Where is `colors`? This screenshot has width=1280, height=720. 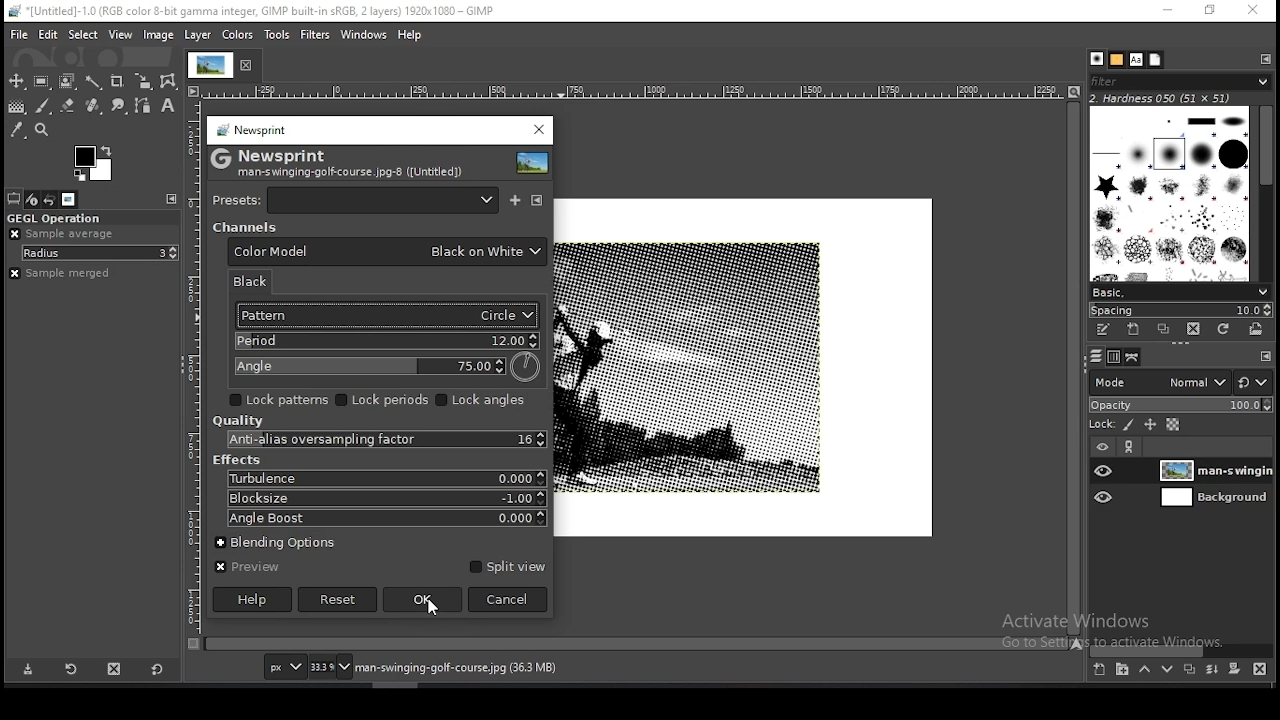 colors is located at coordinates (237, 35).